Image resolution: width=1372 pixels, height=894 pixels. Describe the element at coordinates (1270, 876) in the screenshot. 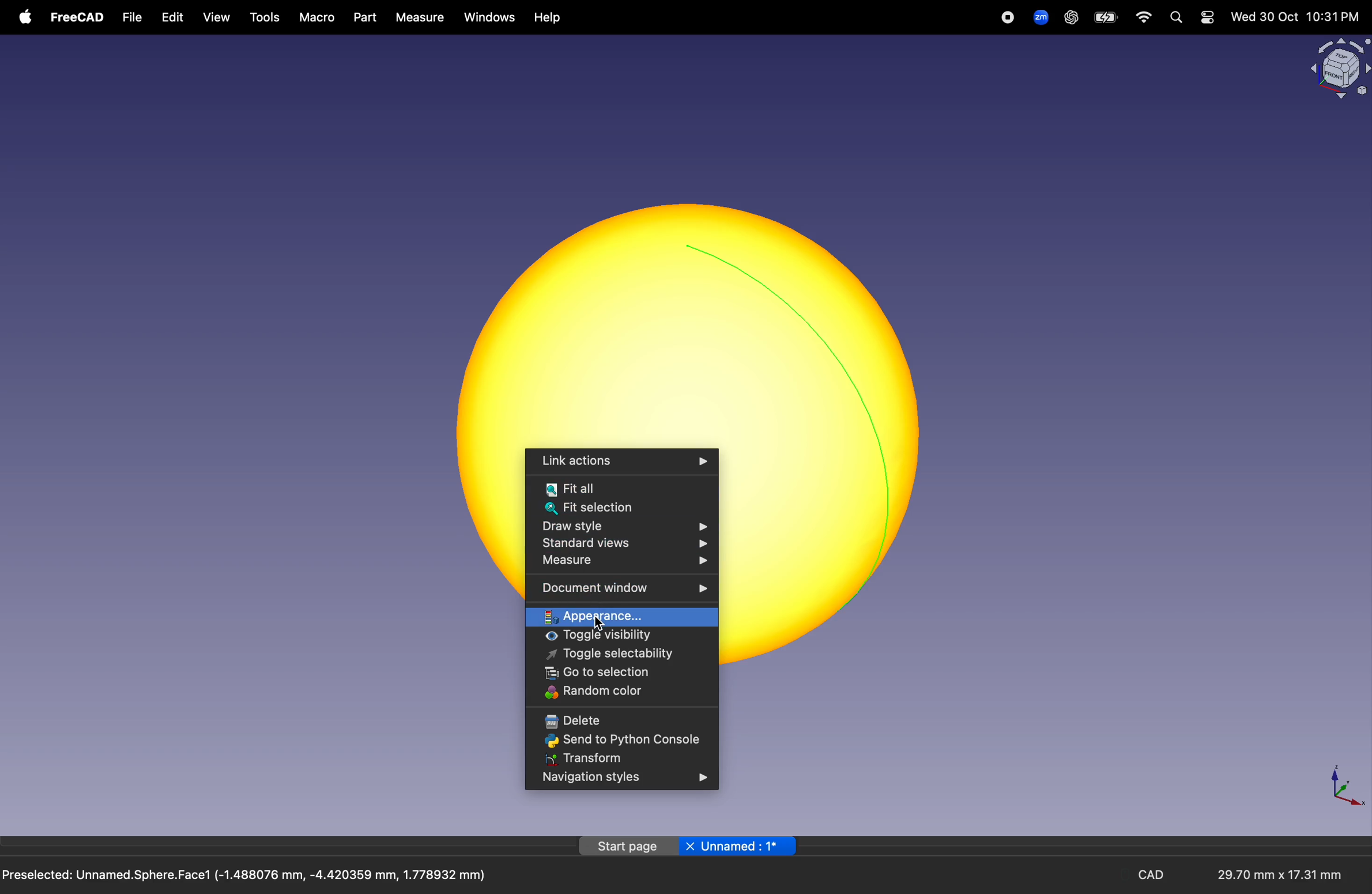

I see `29.70 mm x 17.31 mm` at that location.